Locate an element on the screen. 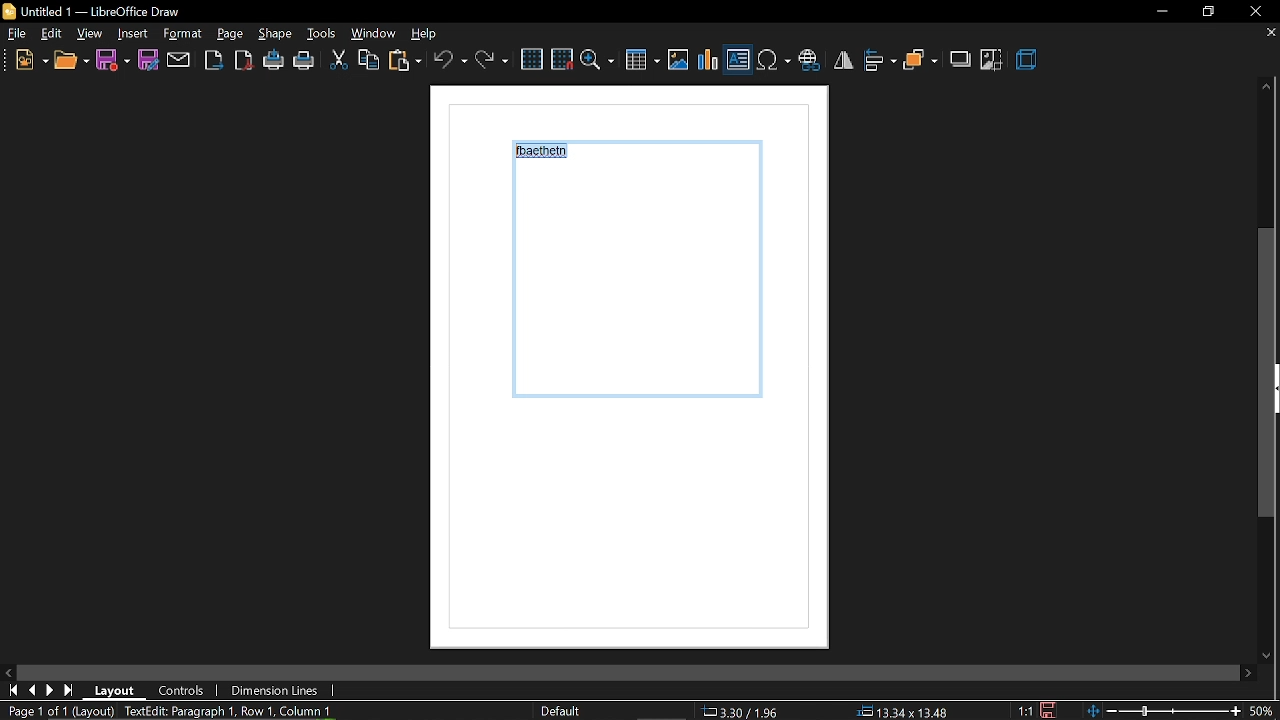 The width and height of the screenshot is (1280, 720). redo is located at coordinates (491, 60).